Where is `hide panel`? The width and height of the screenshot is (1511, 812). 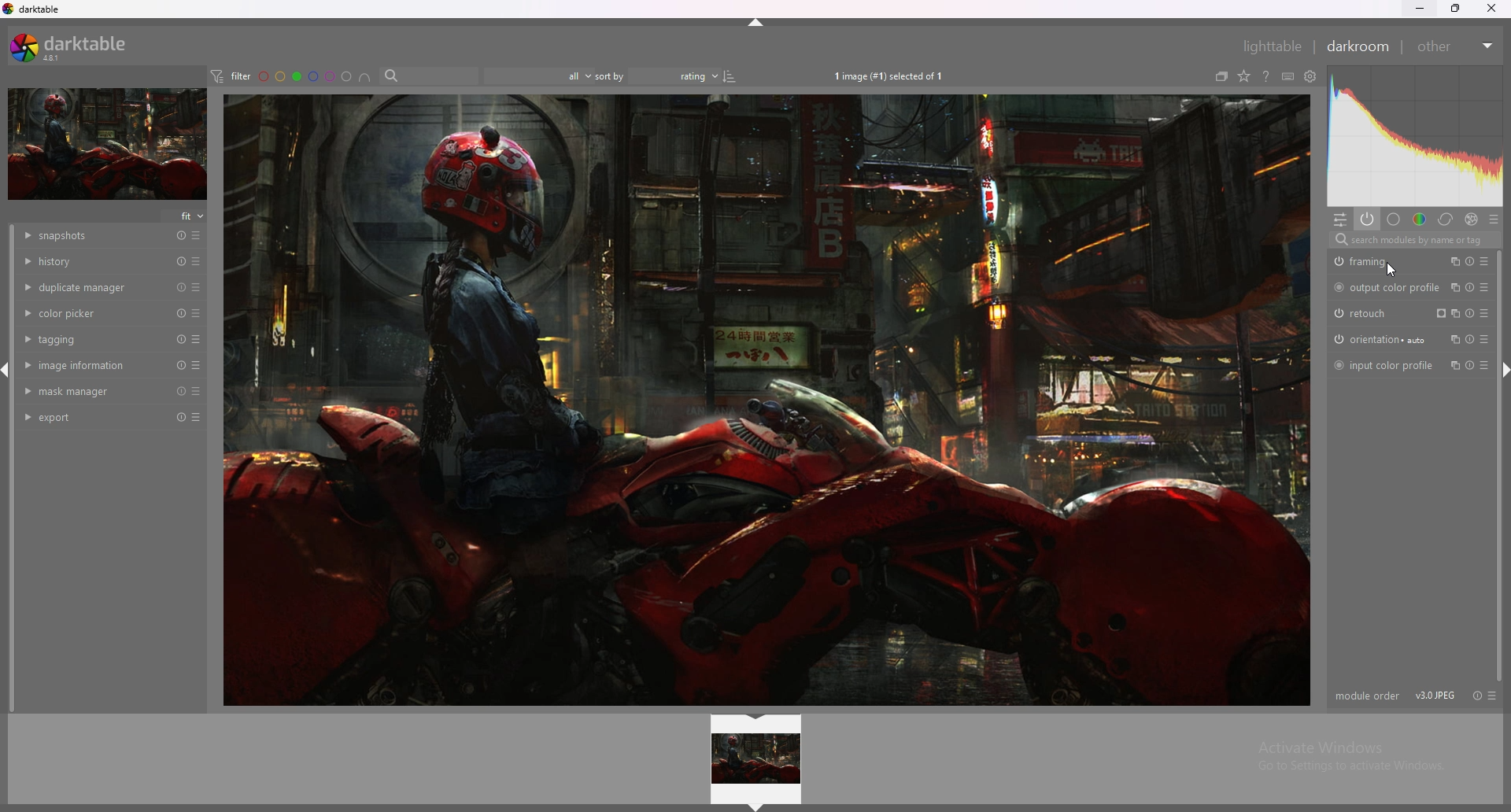 hide panel is located at coordinates (761, 23).